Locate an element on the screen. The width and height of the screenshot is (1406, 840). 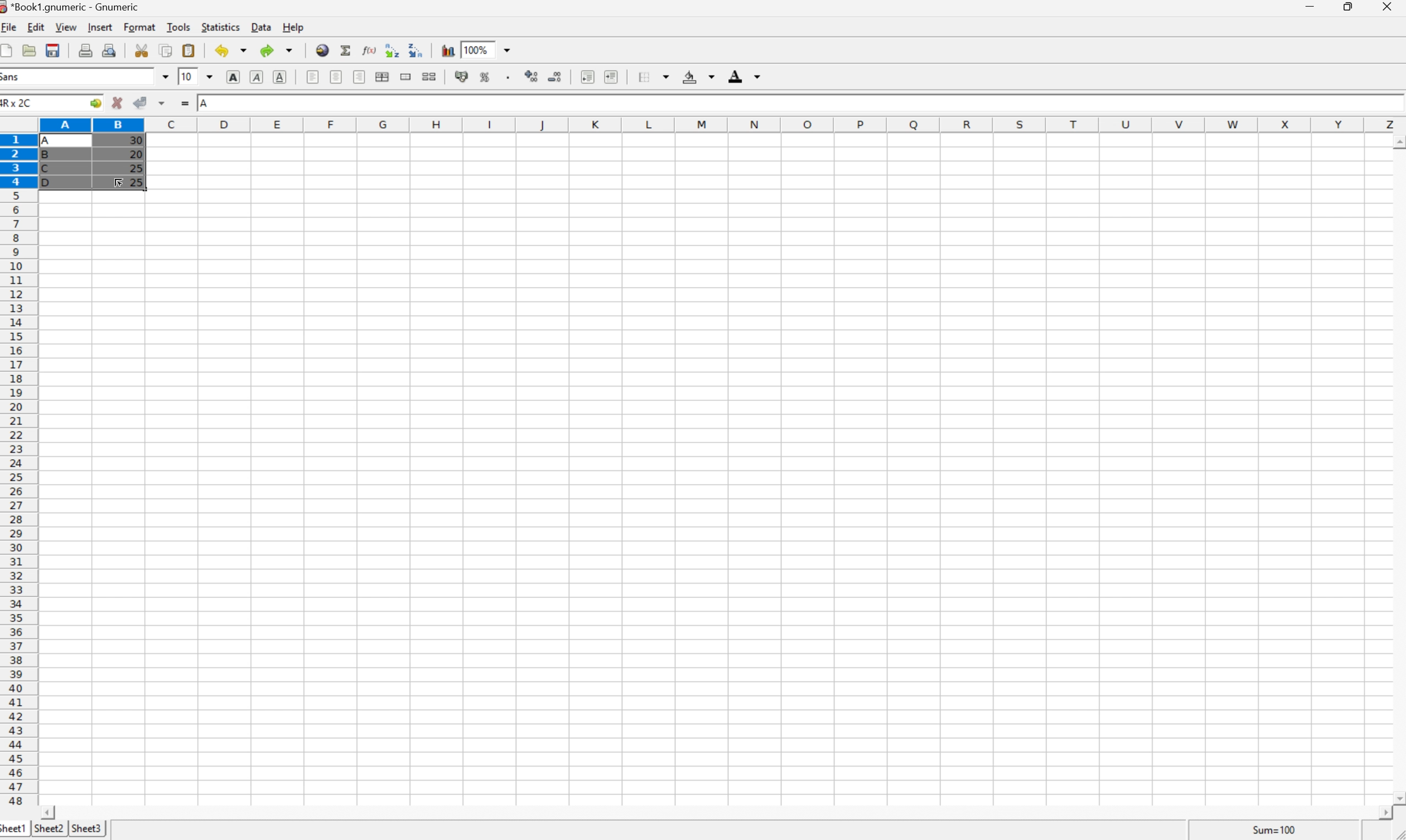
Go to is located at coordinates (95, 101).